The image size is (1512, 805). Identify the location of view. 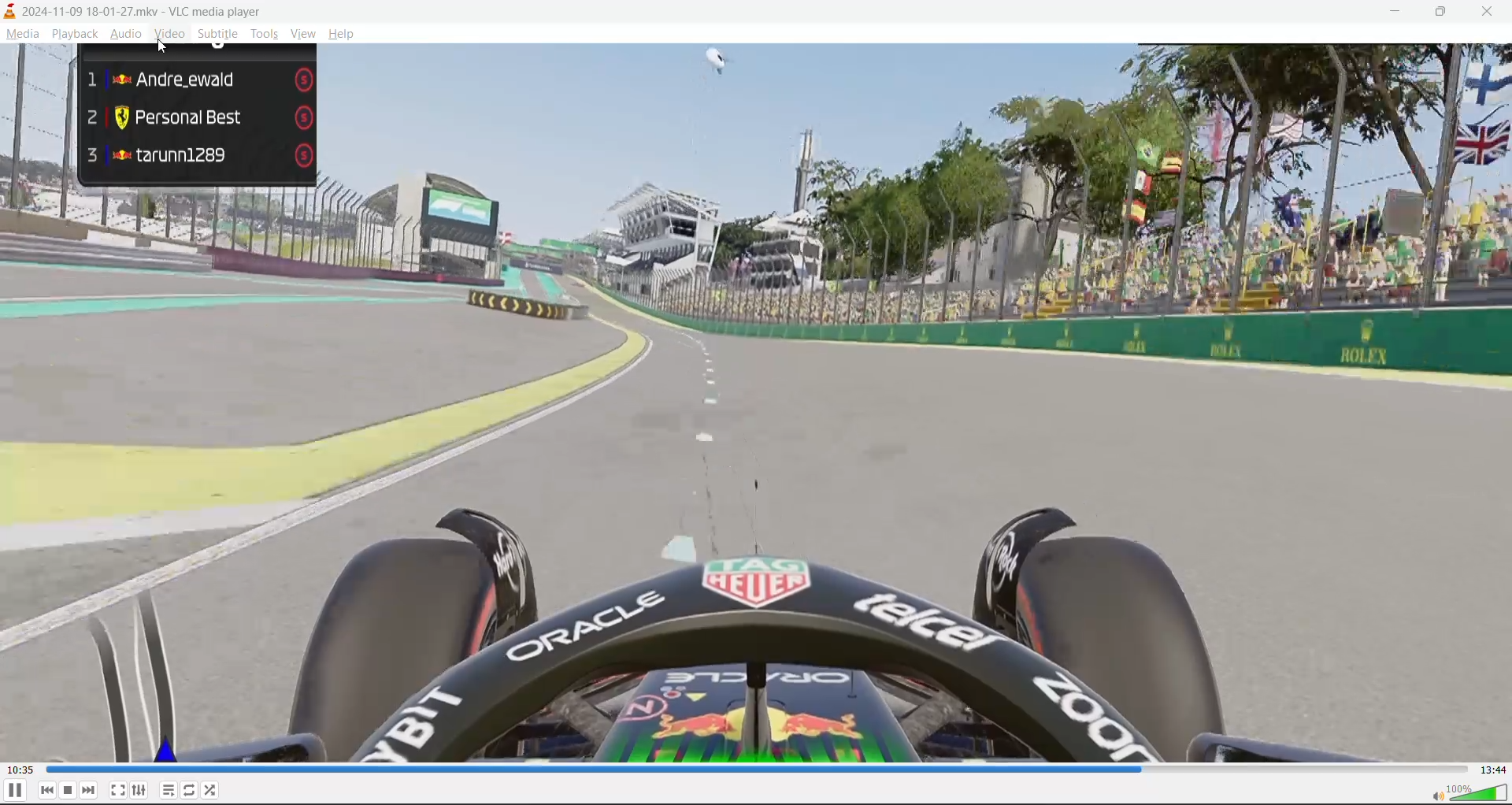
(302, 33).